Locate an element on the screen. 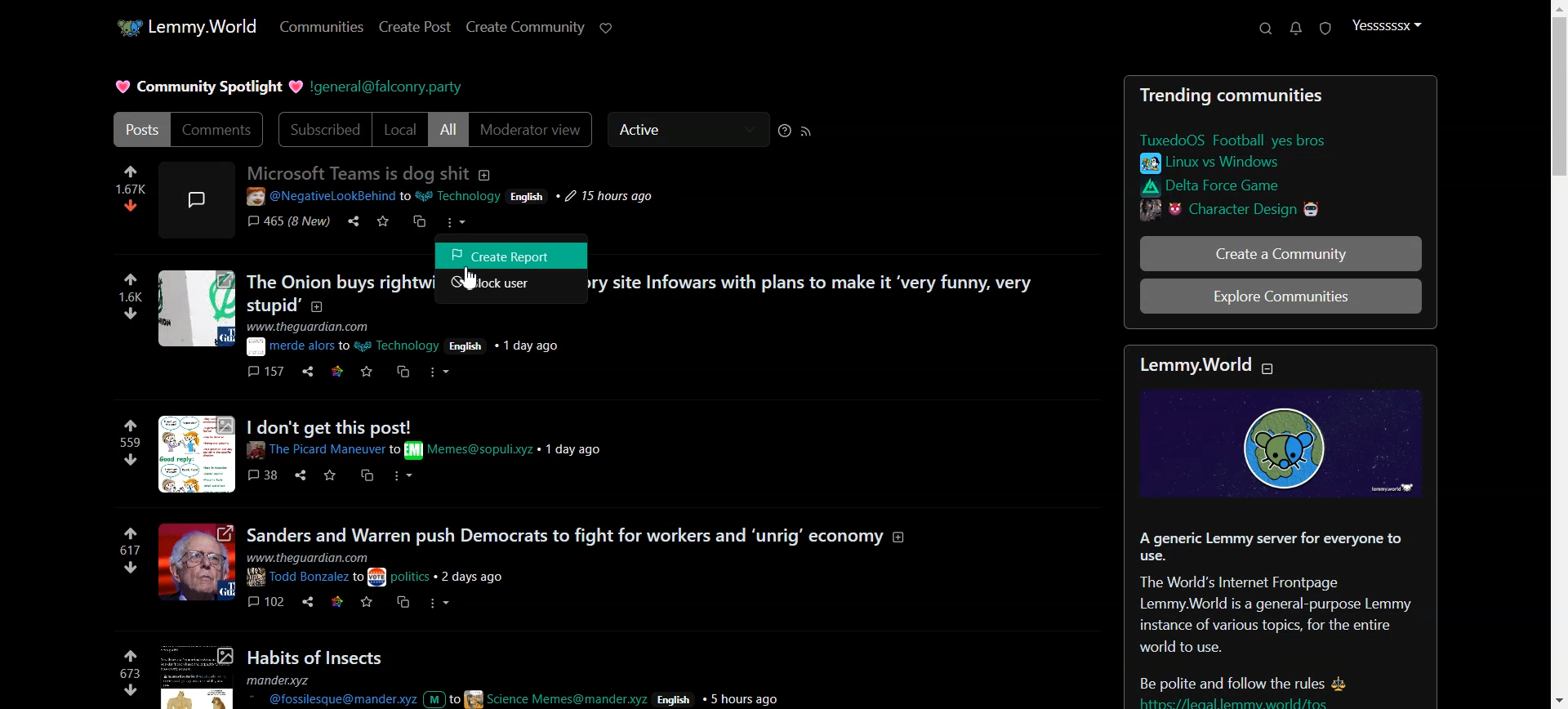 Image resolution: width=1568 pixels, height=709 pixels. dislike is located at coordinates (131, 691).